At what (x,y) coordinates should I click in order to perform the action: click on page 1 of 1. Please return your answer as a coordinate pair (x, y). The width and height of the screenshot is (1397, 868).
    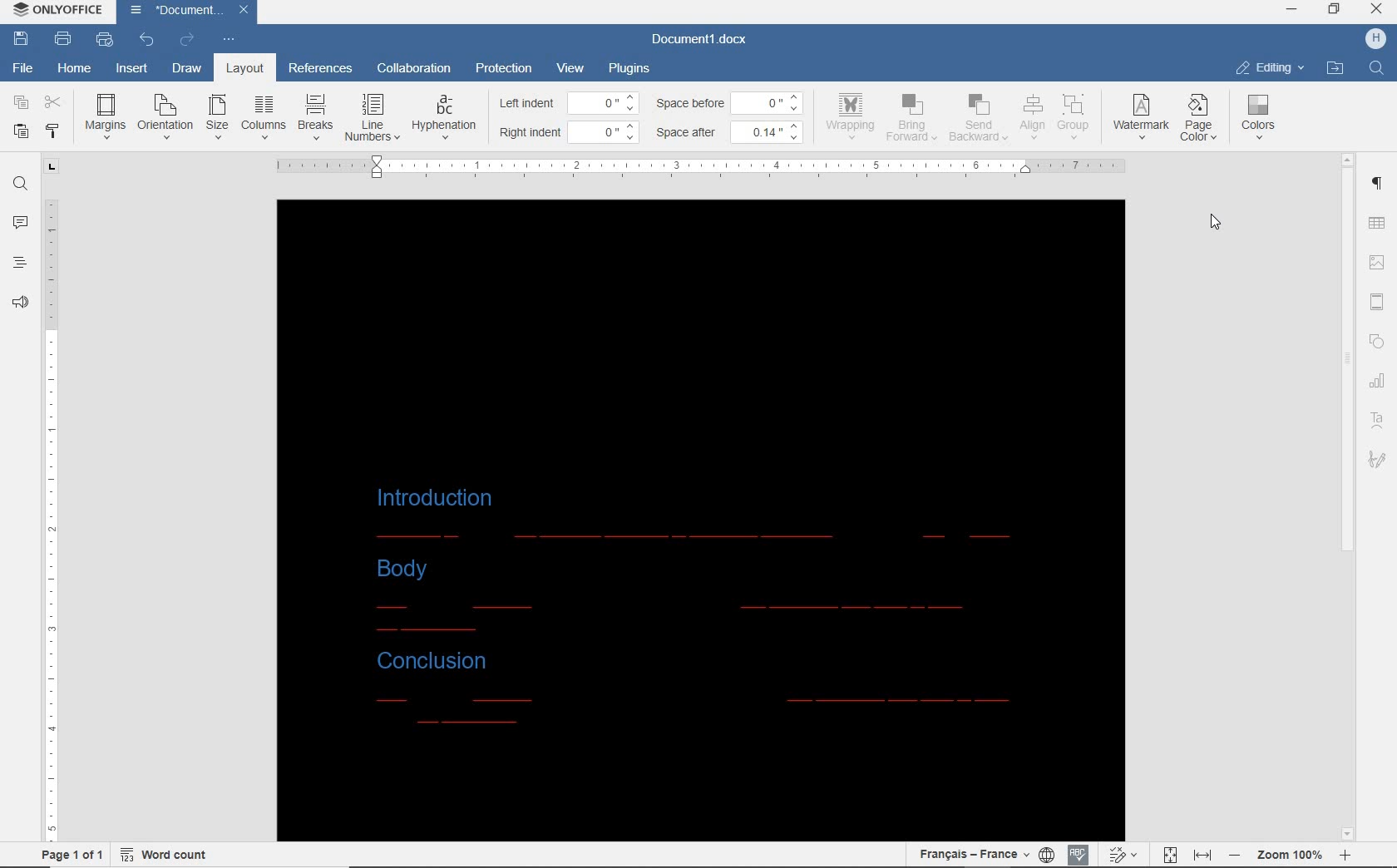
    Looking at the image, I should click on (71, 855).